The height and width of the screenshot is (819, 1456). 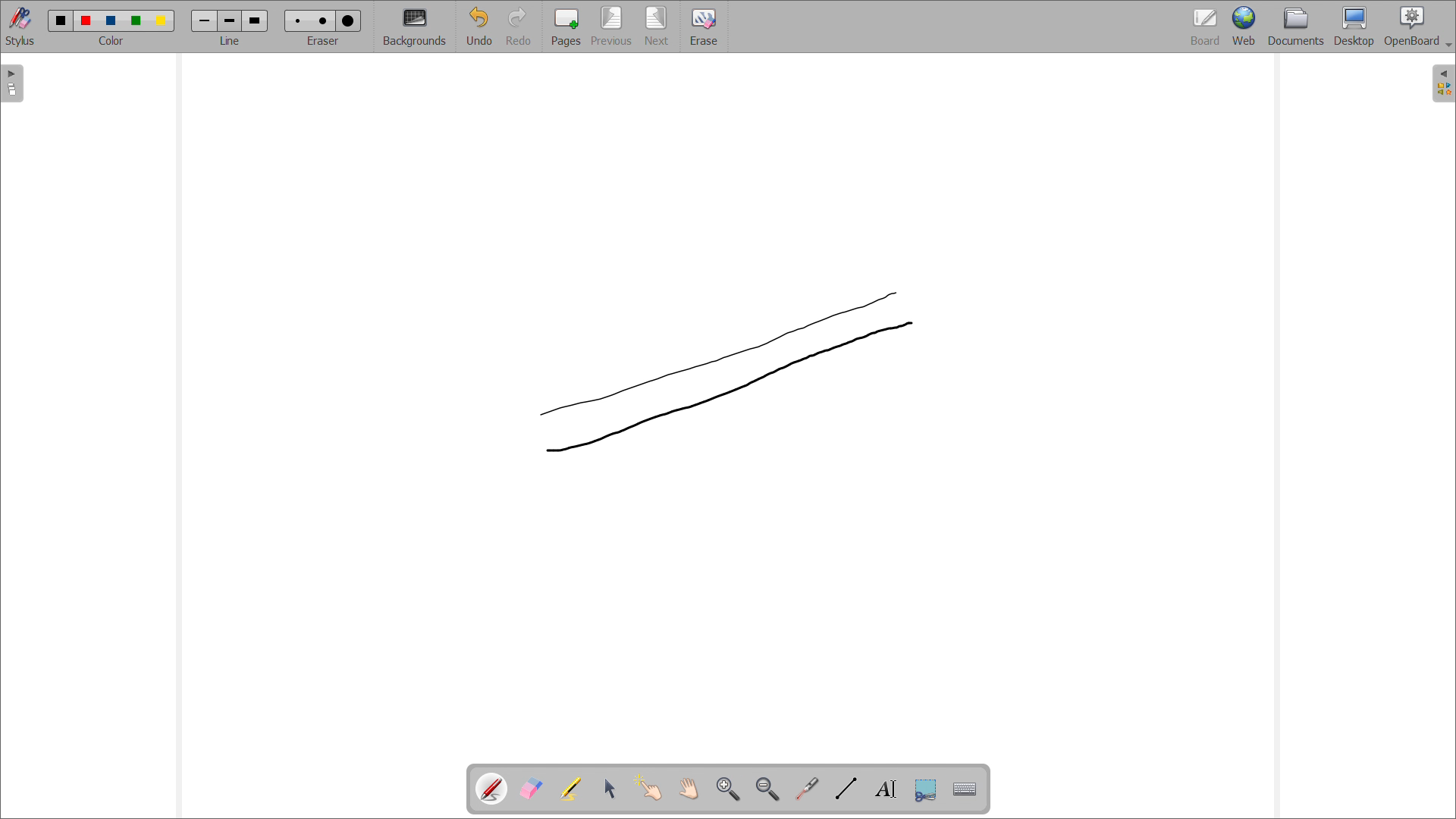 I want to click on Eraser size, so click(x=348, y=21).